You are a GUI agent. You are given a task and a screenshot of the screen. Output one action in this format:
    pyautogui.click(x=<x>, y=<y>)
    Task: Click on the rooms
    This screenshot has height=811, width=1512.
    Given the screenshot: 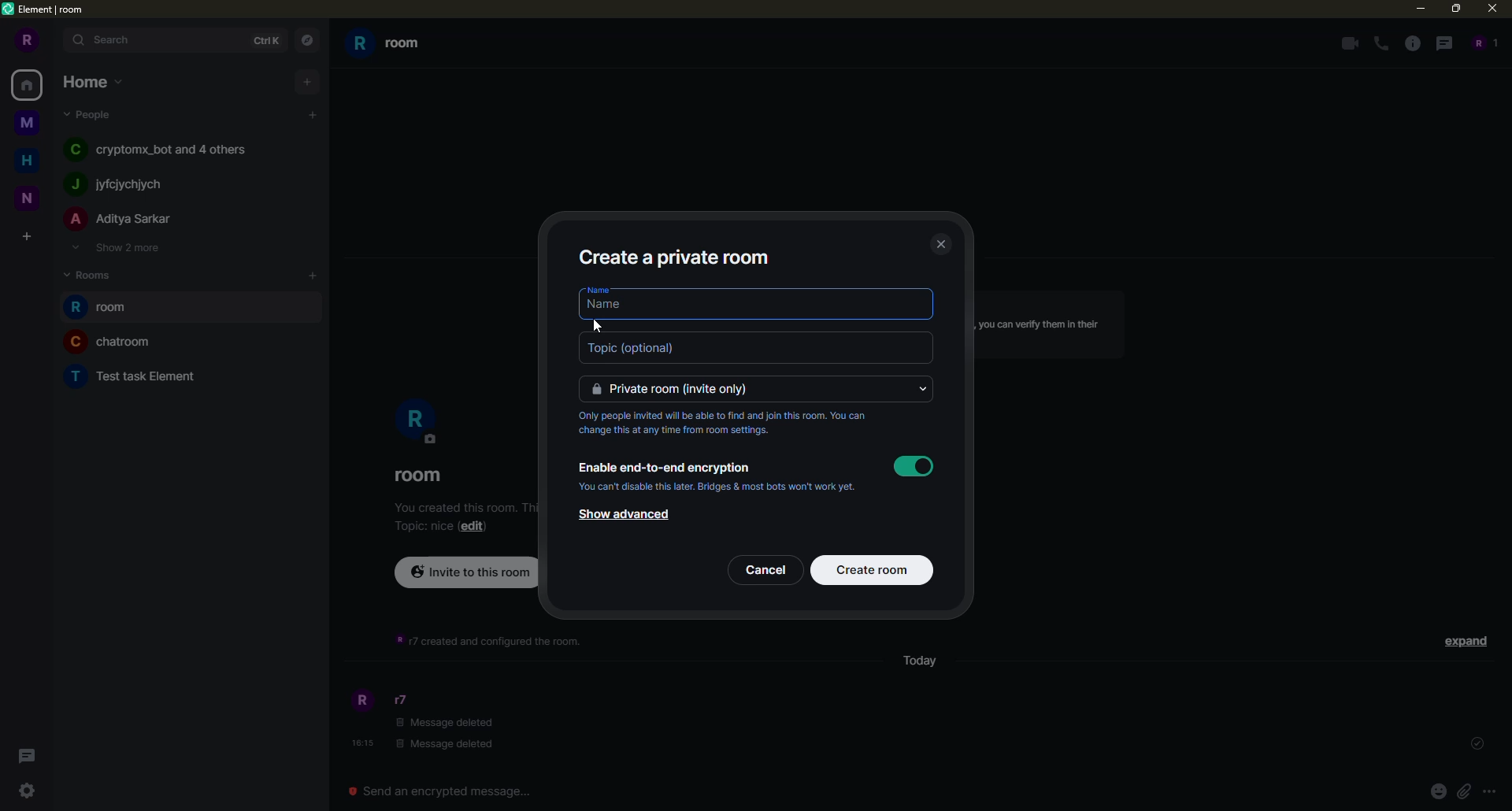 What is the action you would take?
    pyautogui.click(x=88, y=274)
    